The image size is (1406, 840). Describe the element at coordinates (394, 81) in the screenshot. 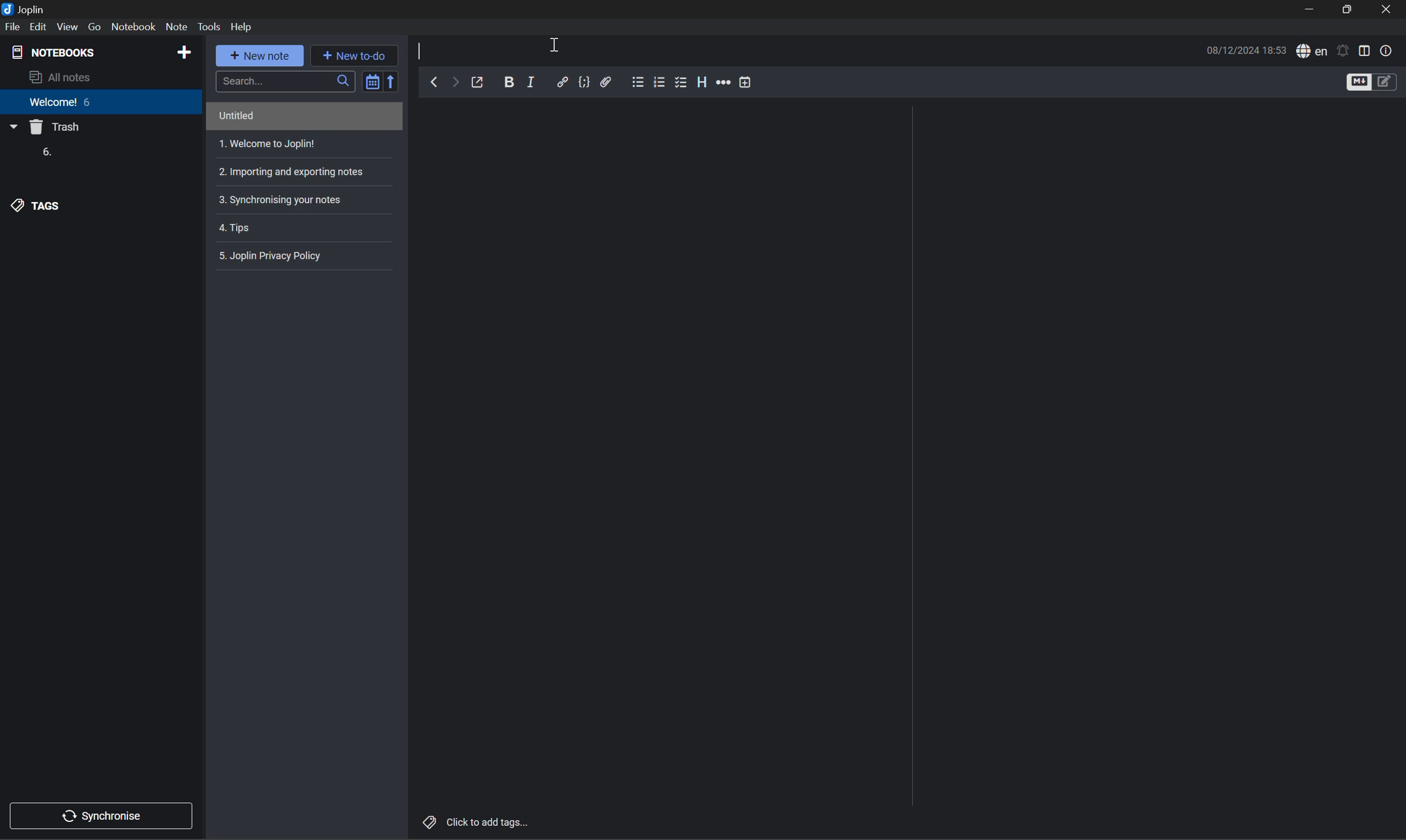

I see `Reverse sort order` at that location.